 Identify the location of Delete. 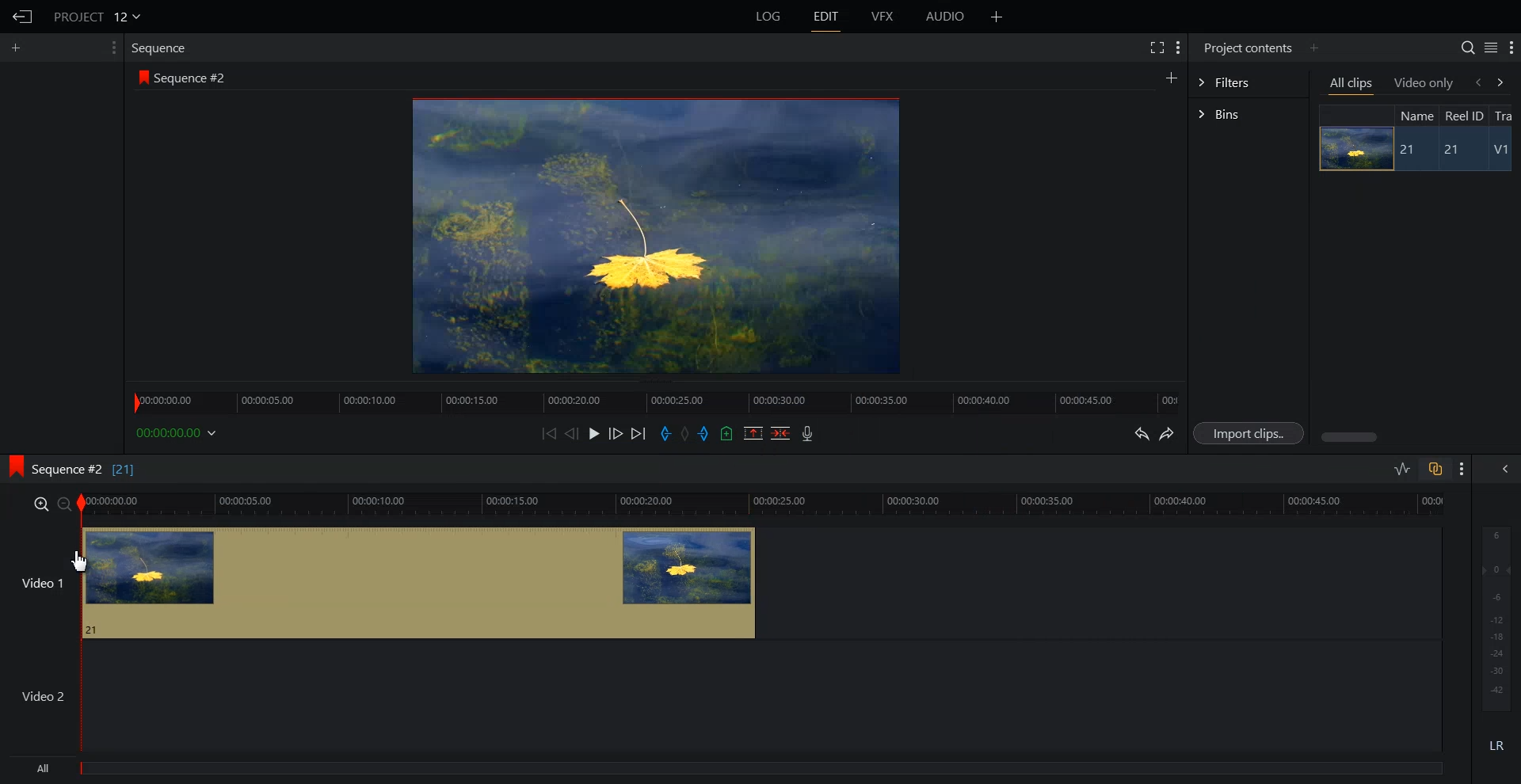
(781, 433).